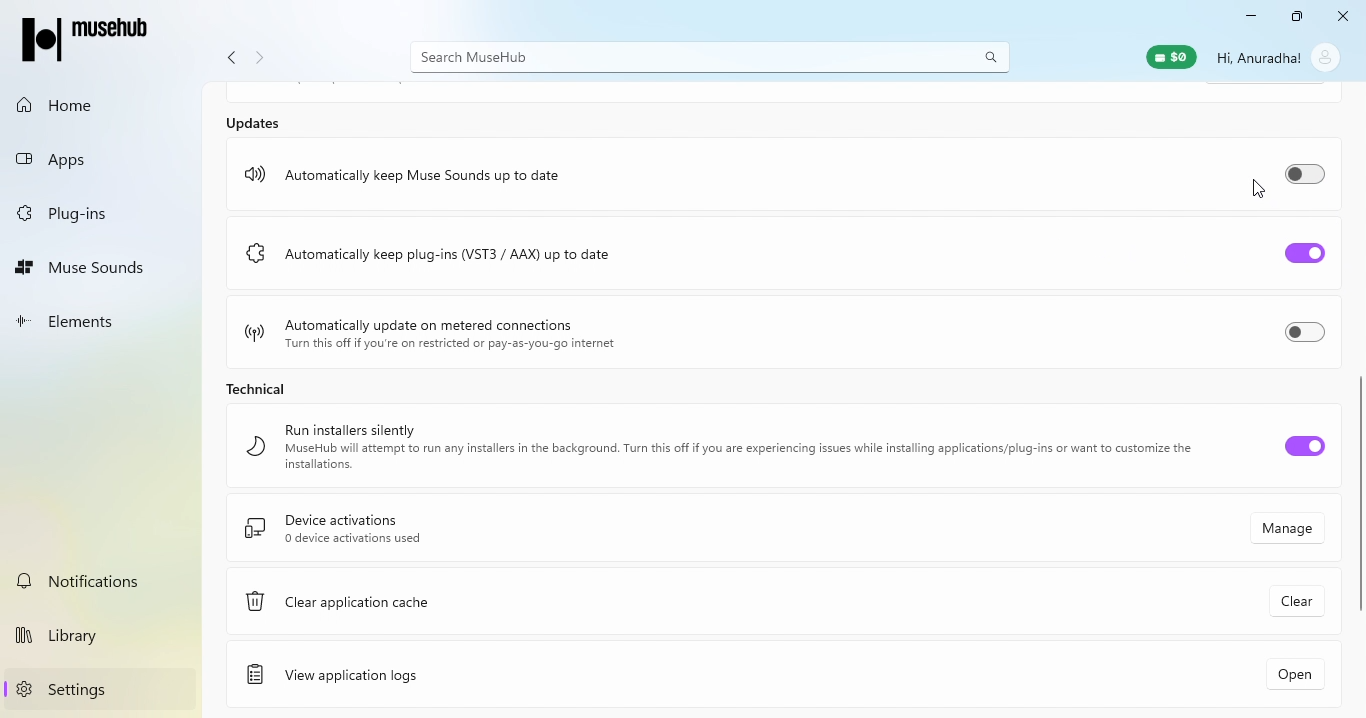 The height and width of the screenshot is (718, 1366). What do you see at coordinates (406, 176) in the screenshot?
I see `Automatically keep Muse sounds up to date` at bounding box center [406, 176].